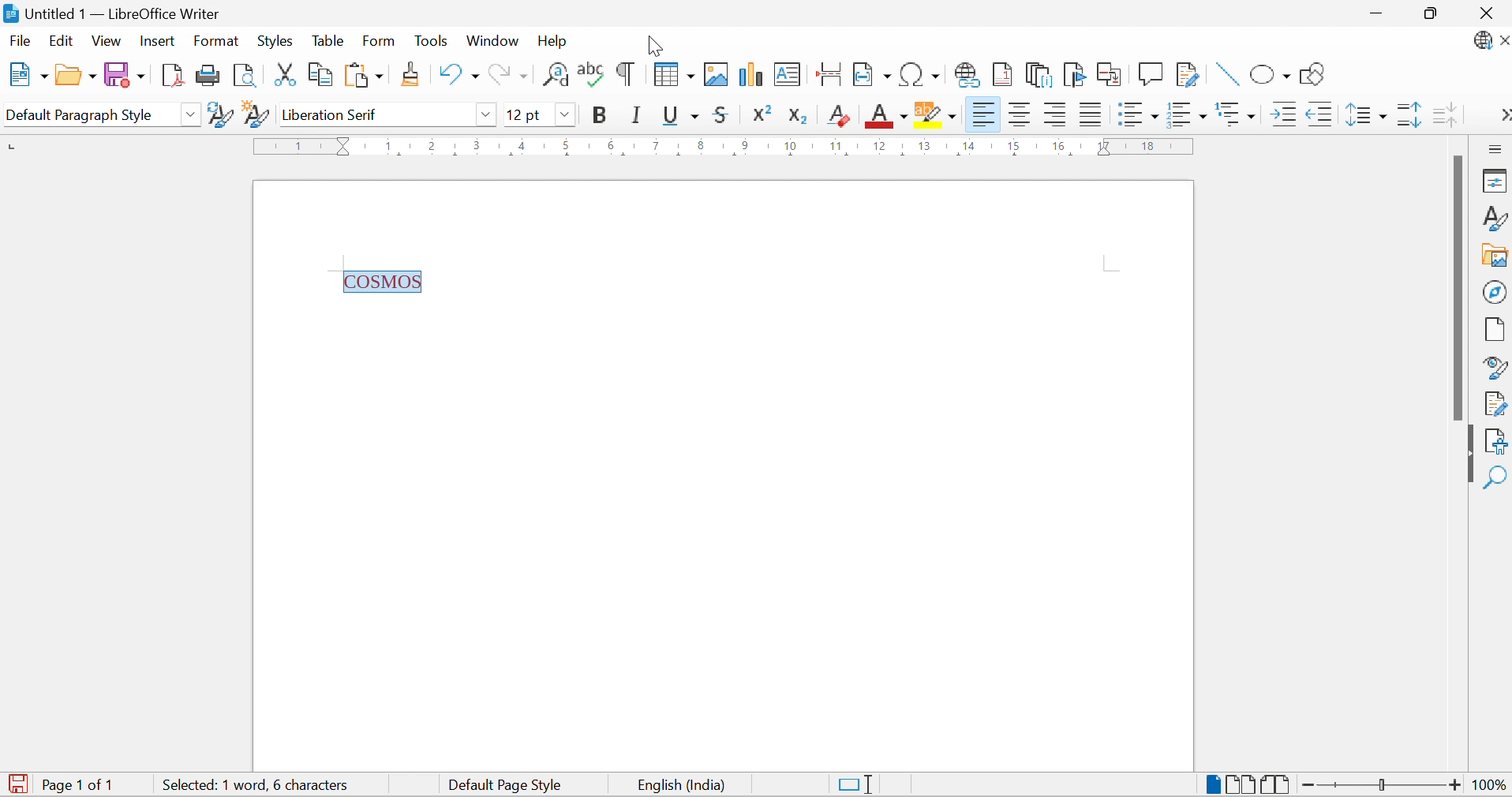 The height and width of the screenshot is (797, 1512). Describe the element at coordinates (1467, 454) in the screenshot. I see `Hide` at that location.